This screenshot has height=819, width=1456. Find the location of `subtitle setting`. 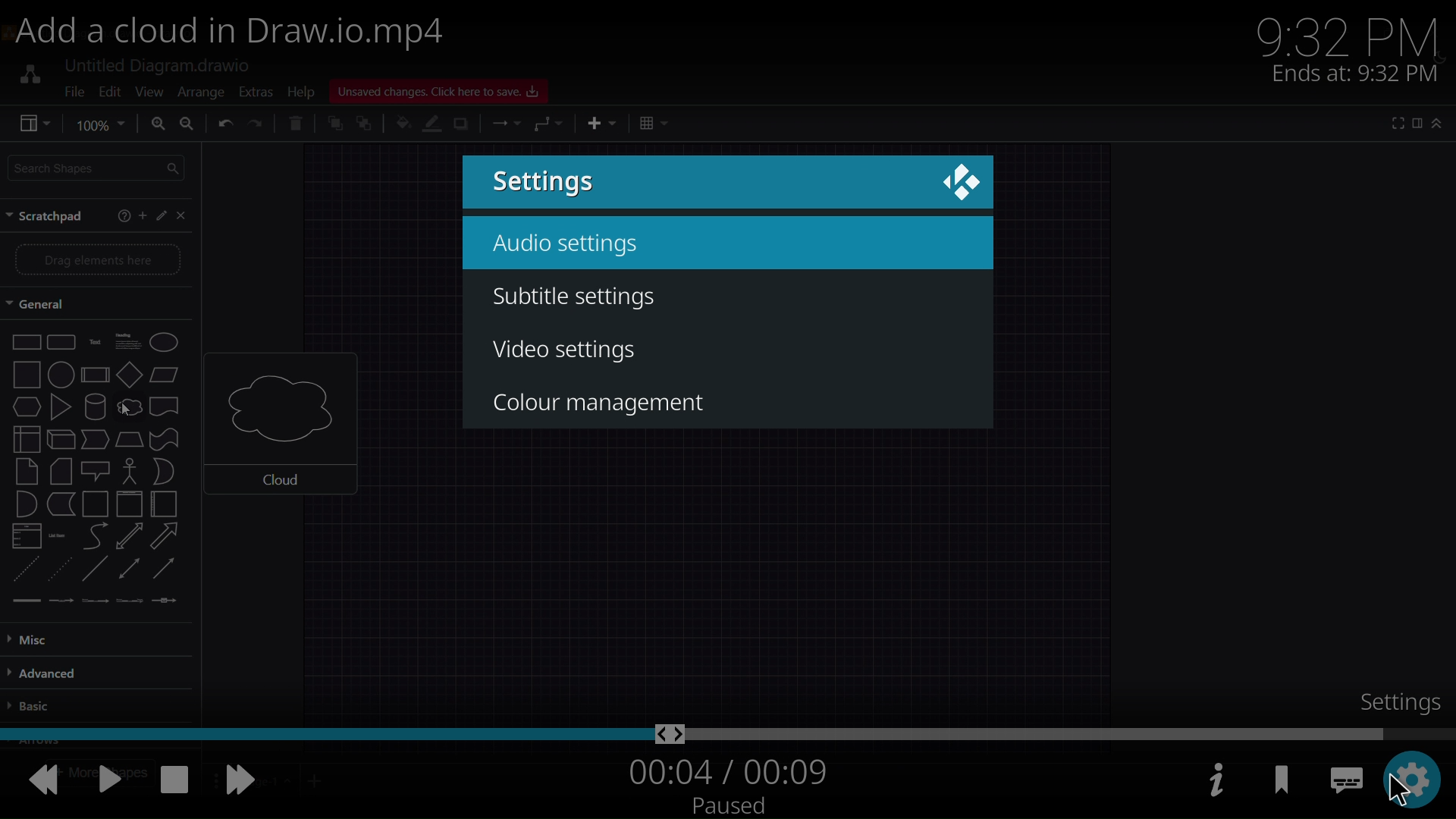

subtitle setting is located at coordinates (587, 300).